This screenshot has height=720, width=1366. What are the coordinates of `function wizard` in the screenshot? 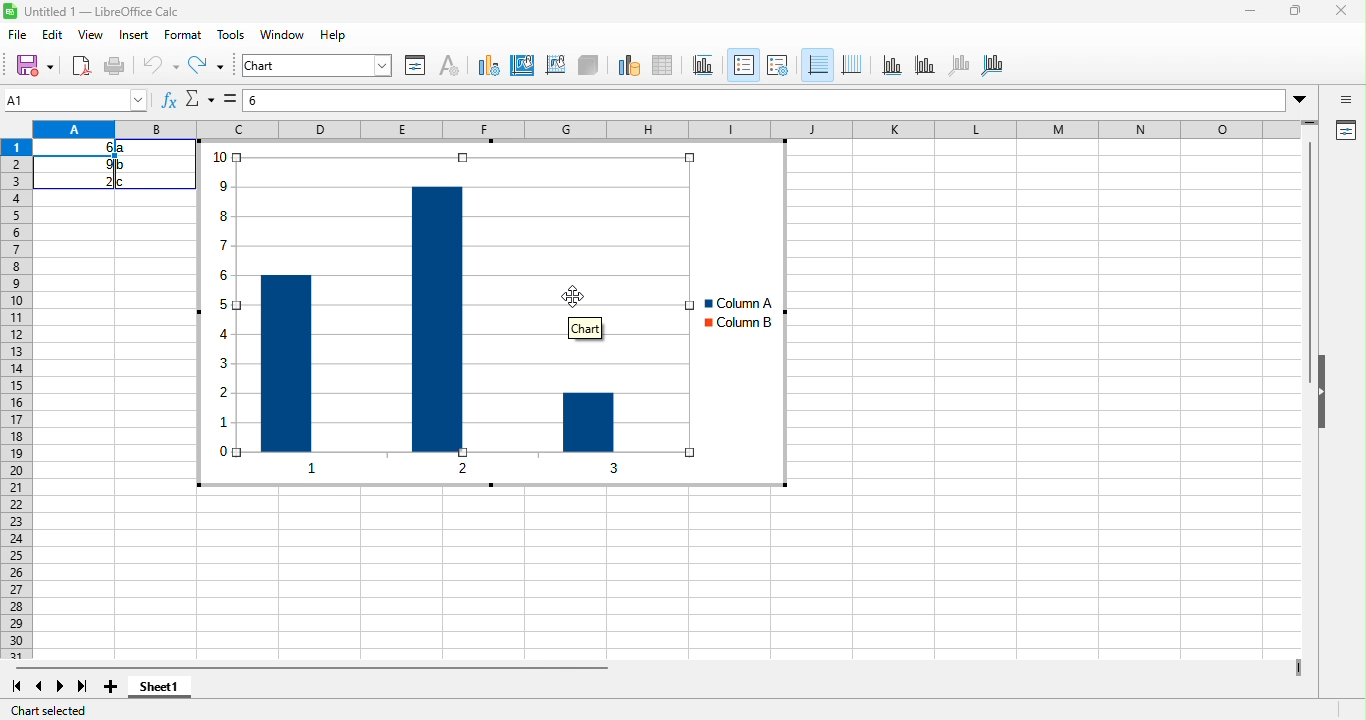 It's located at (168, 101).